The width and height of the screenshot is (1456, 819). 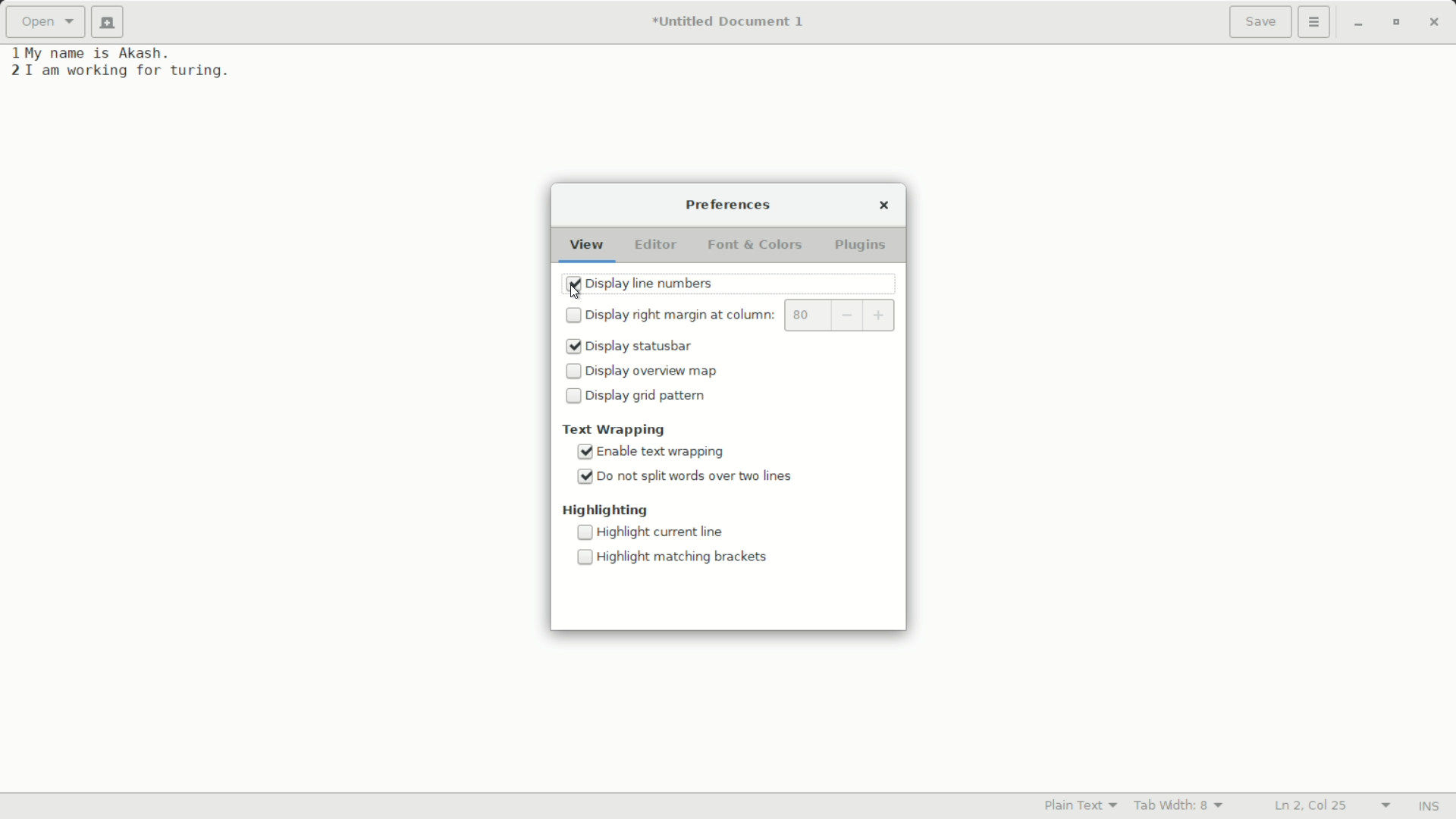 I want to click on margin, so click(x=808, y=315).